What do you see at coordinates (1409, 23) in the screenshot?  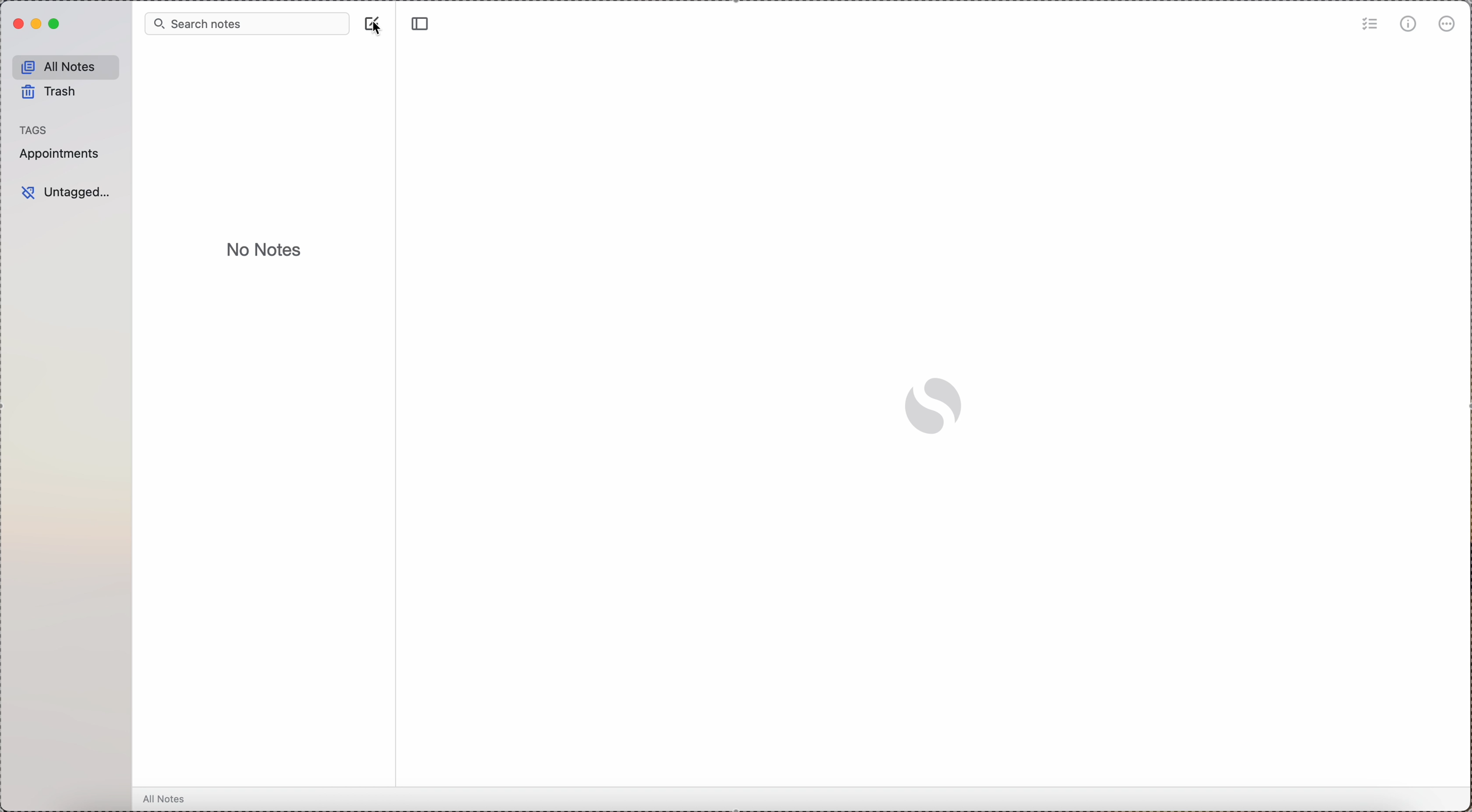 I see `metrics` at bounding box center [1409, 23].